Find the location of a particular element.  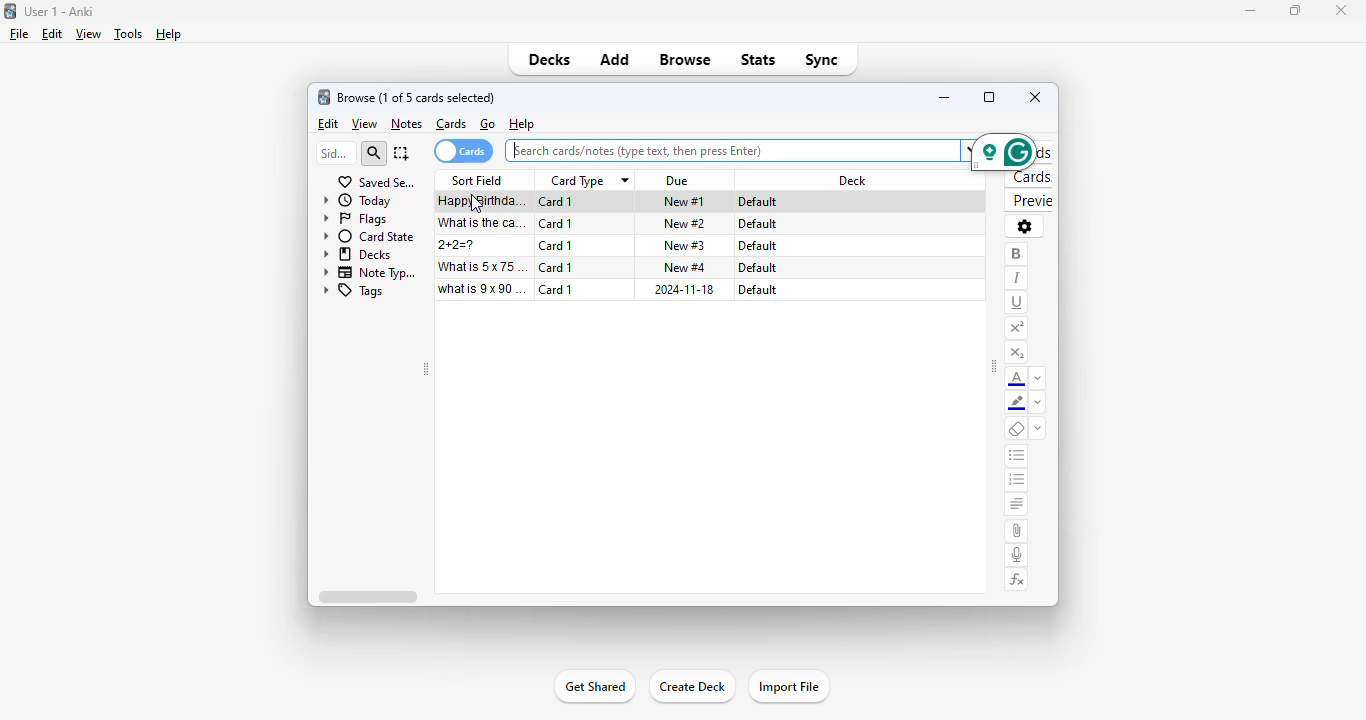

search bar is located at coordinates (739, 150).